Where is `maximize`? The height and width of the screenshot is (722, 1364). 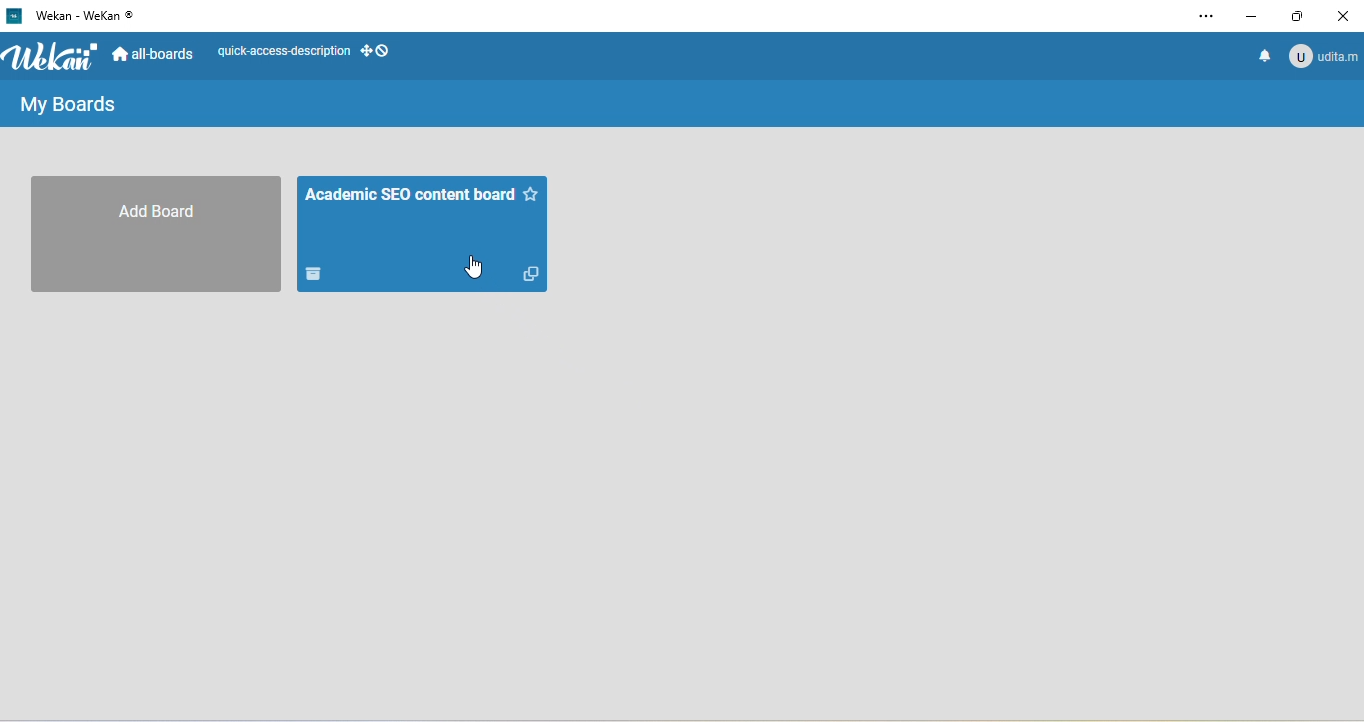
maximize is located at coordinates (1301, 15).